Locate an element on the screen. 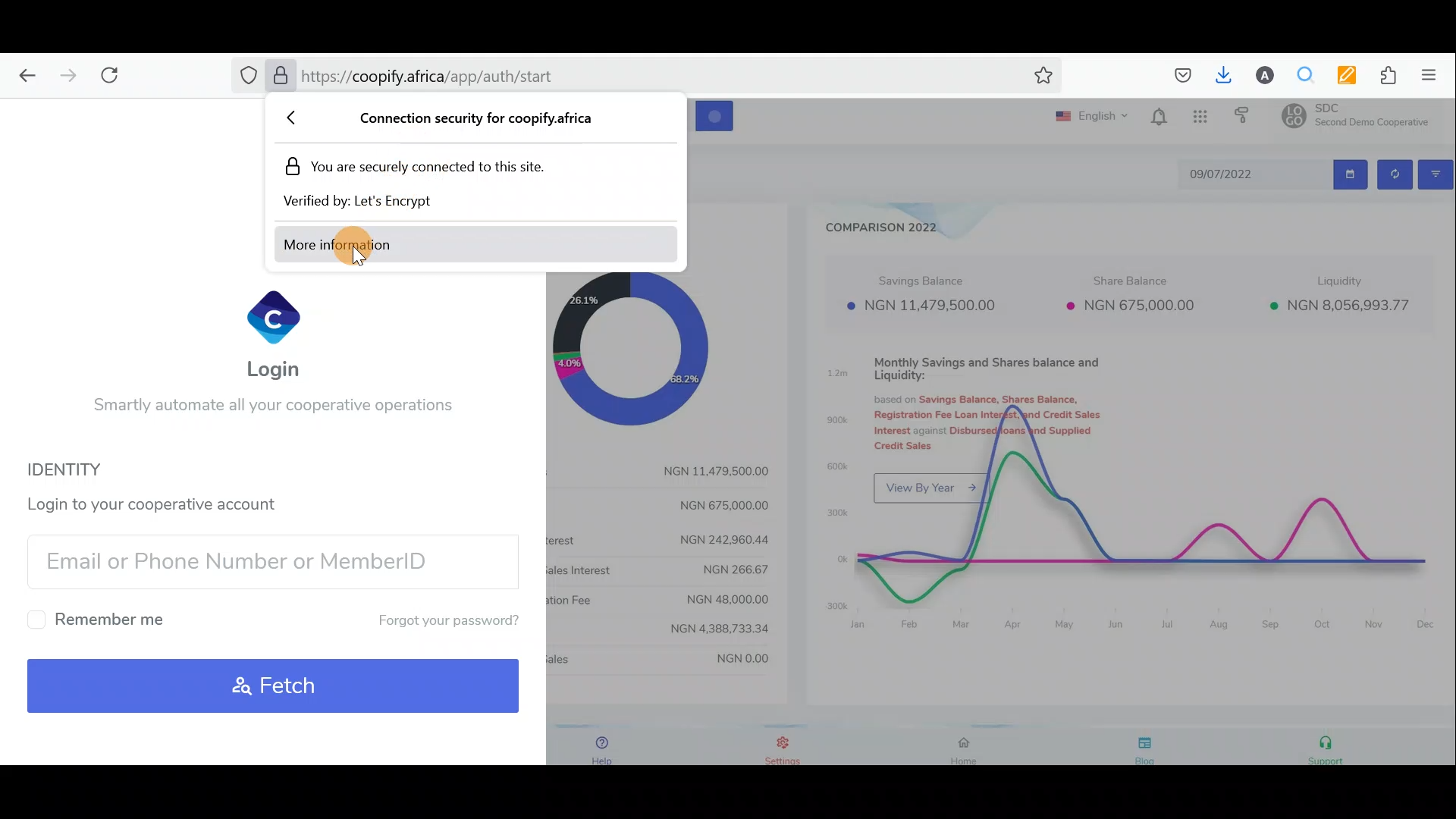  Open application menu is located at coordinates (1433, 76).